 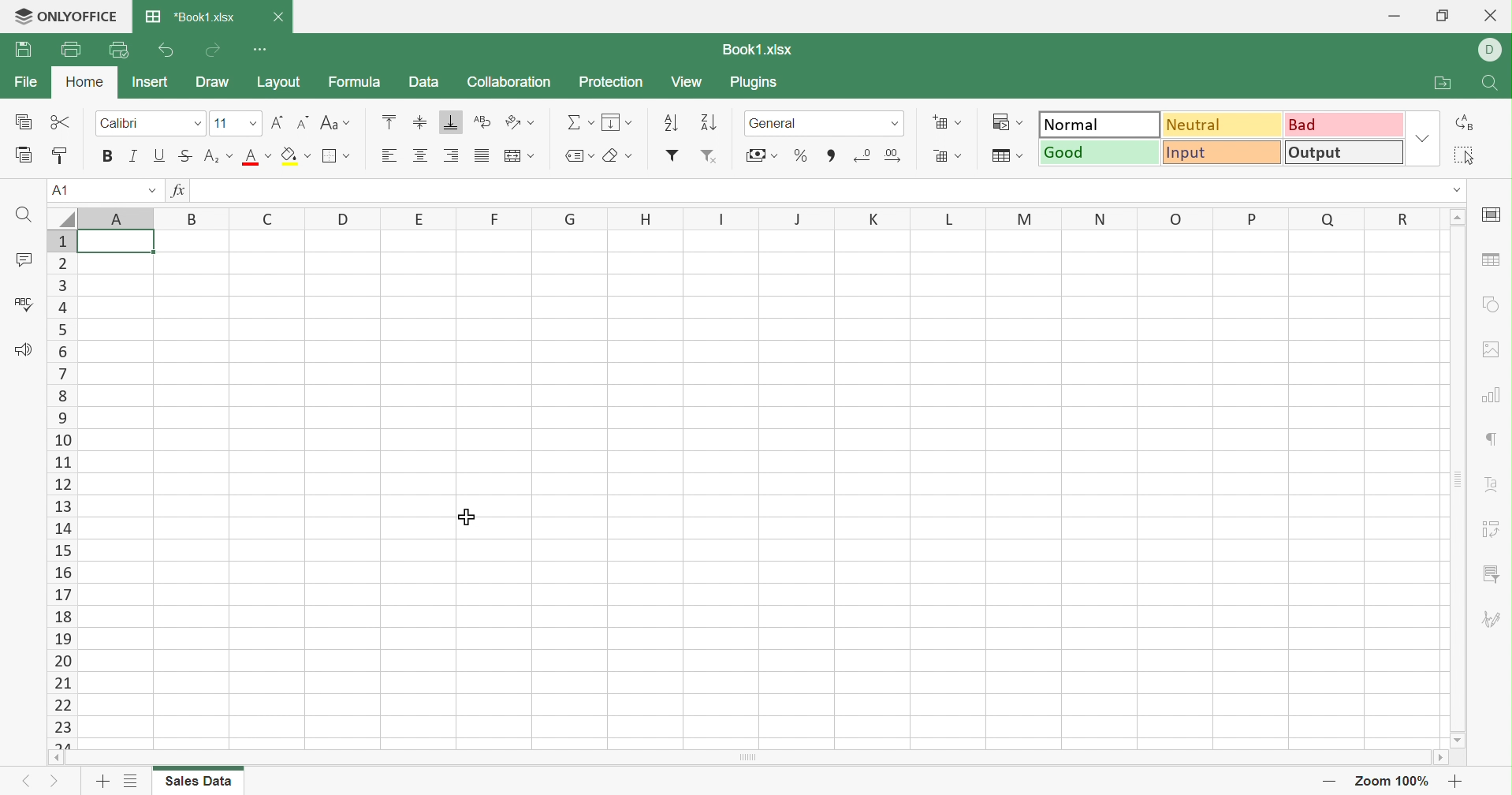 I want to click on Open file location, so click(x=1439, y=82).